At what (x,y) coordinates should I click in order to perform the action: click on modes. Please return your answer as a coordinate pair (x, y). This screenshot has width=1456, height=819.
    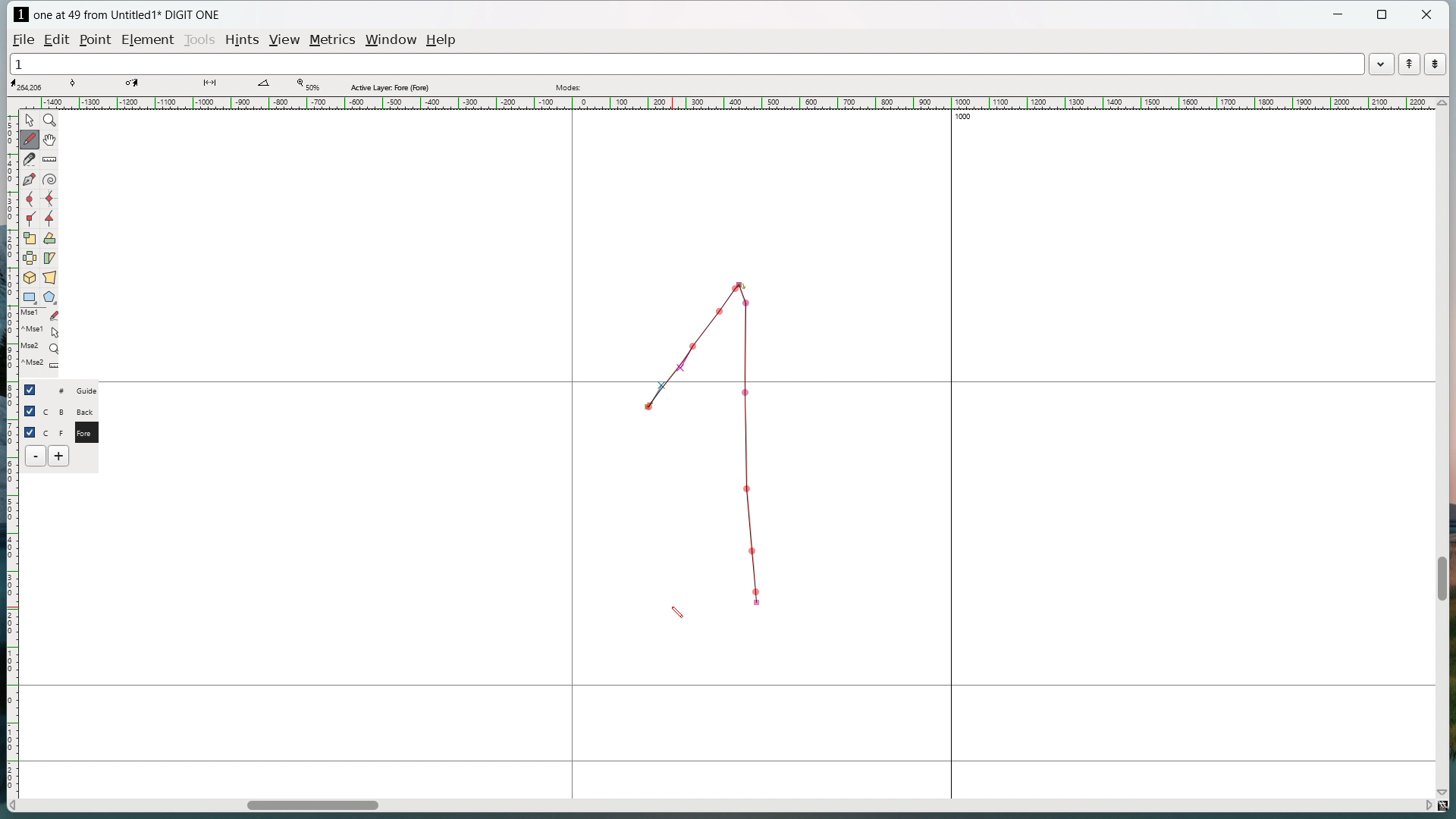
    Looking at the image, I should click on (570, 87).